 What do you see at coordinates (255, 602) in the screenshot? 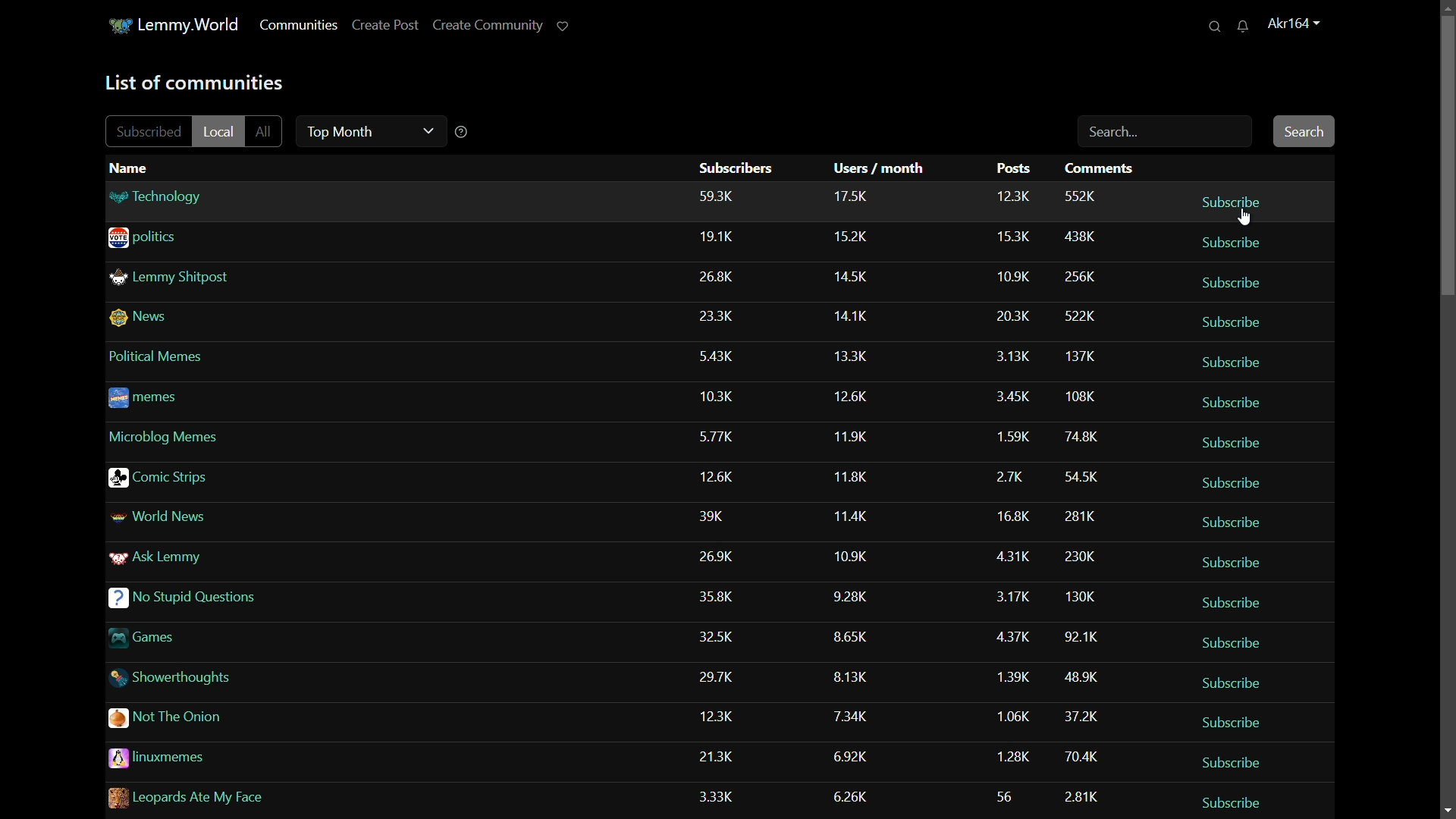
I see `` at bounding box center [255, 602].